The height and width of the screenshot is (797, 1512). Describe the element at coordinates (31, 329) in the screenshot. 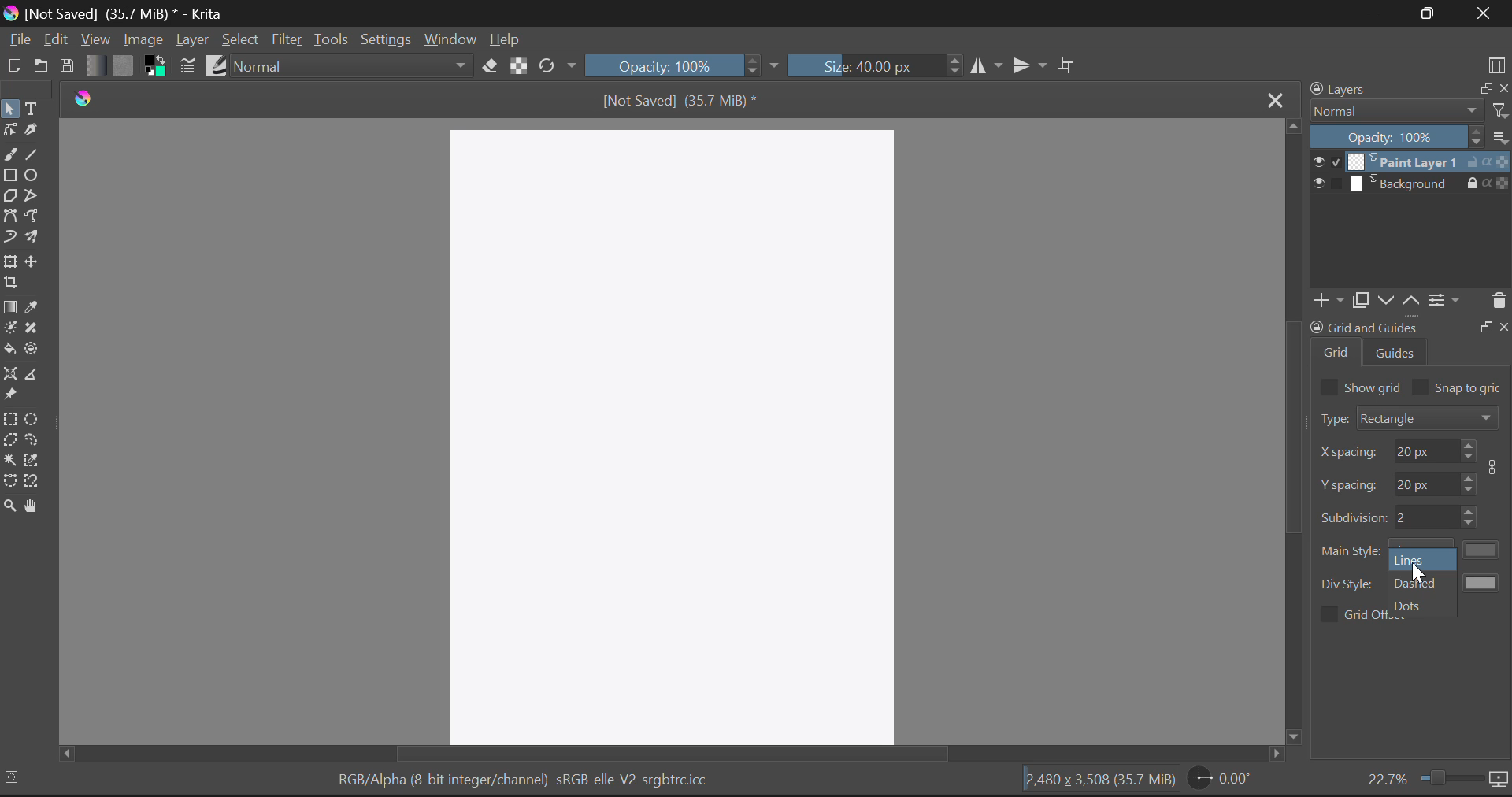

I see `Smart Patch Tool` at that location.